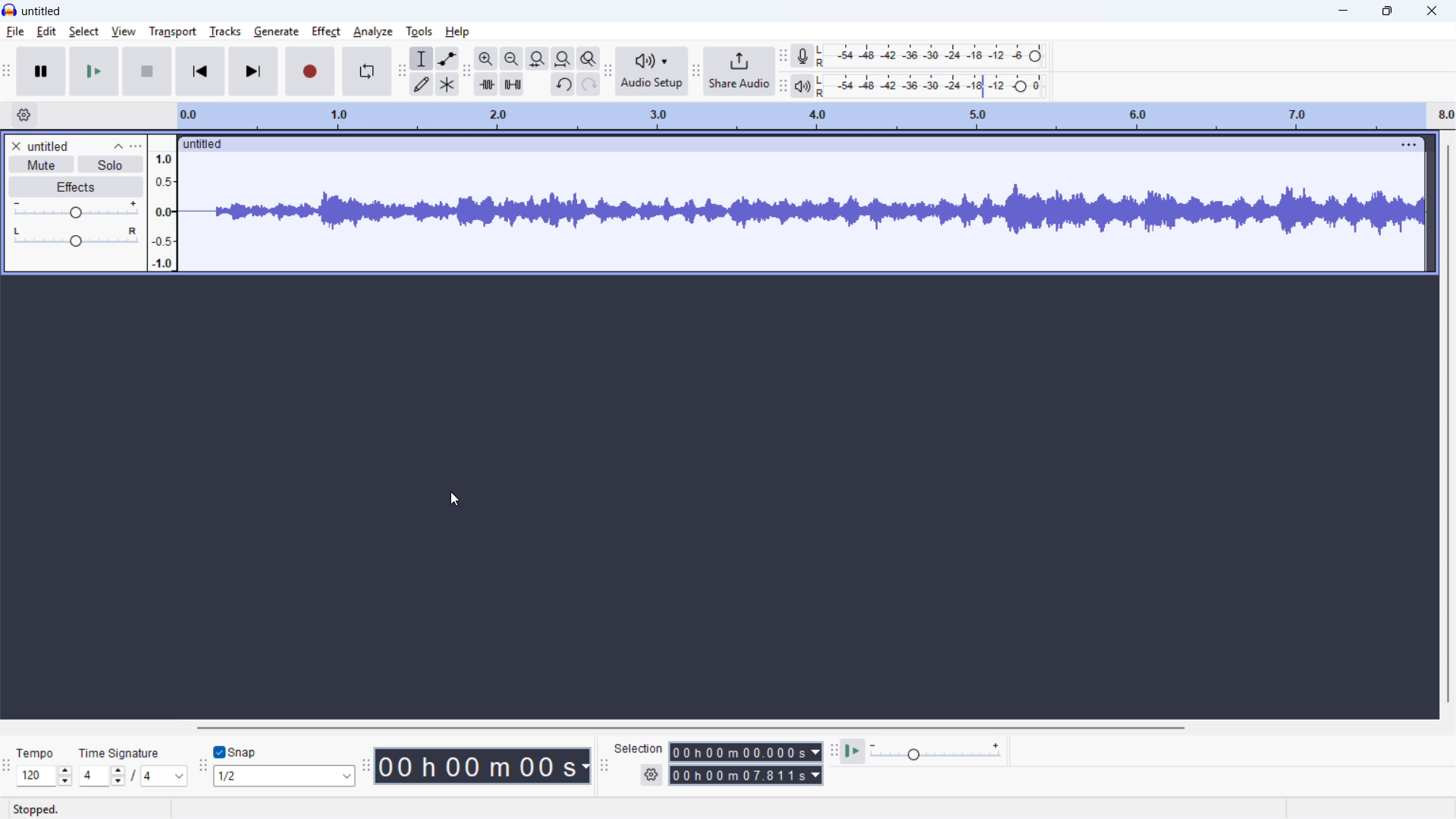 The height and width of the screenshot is (819, 1456). What do you see at coordinates (802, 86) in the screenshot?
I see `playback metre` at bounding box center [802, 86].